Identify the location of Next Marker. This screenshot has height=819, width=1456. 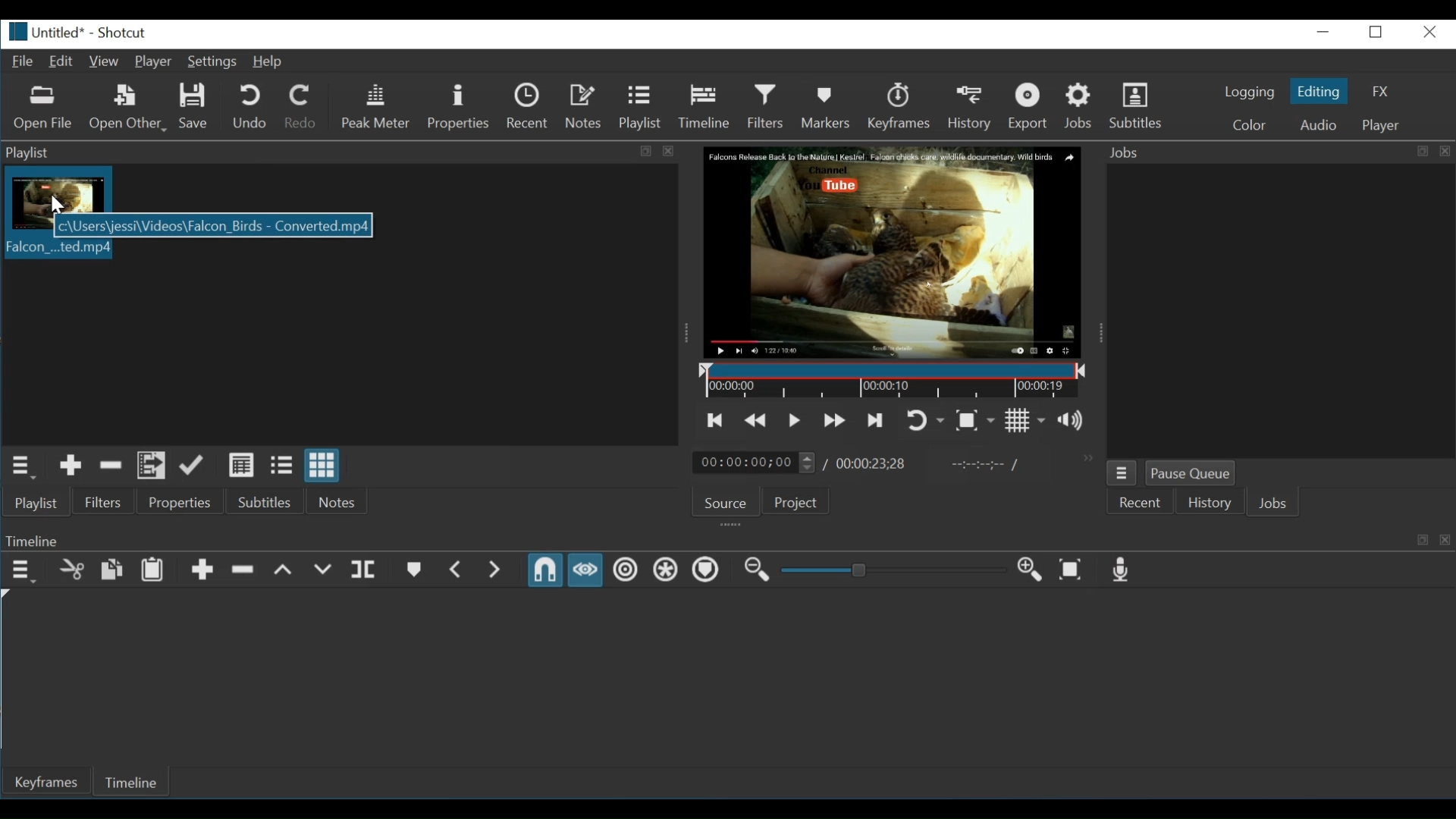
(497, 570).